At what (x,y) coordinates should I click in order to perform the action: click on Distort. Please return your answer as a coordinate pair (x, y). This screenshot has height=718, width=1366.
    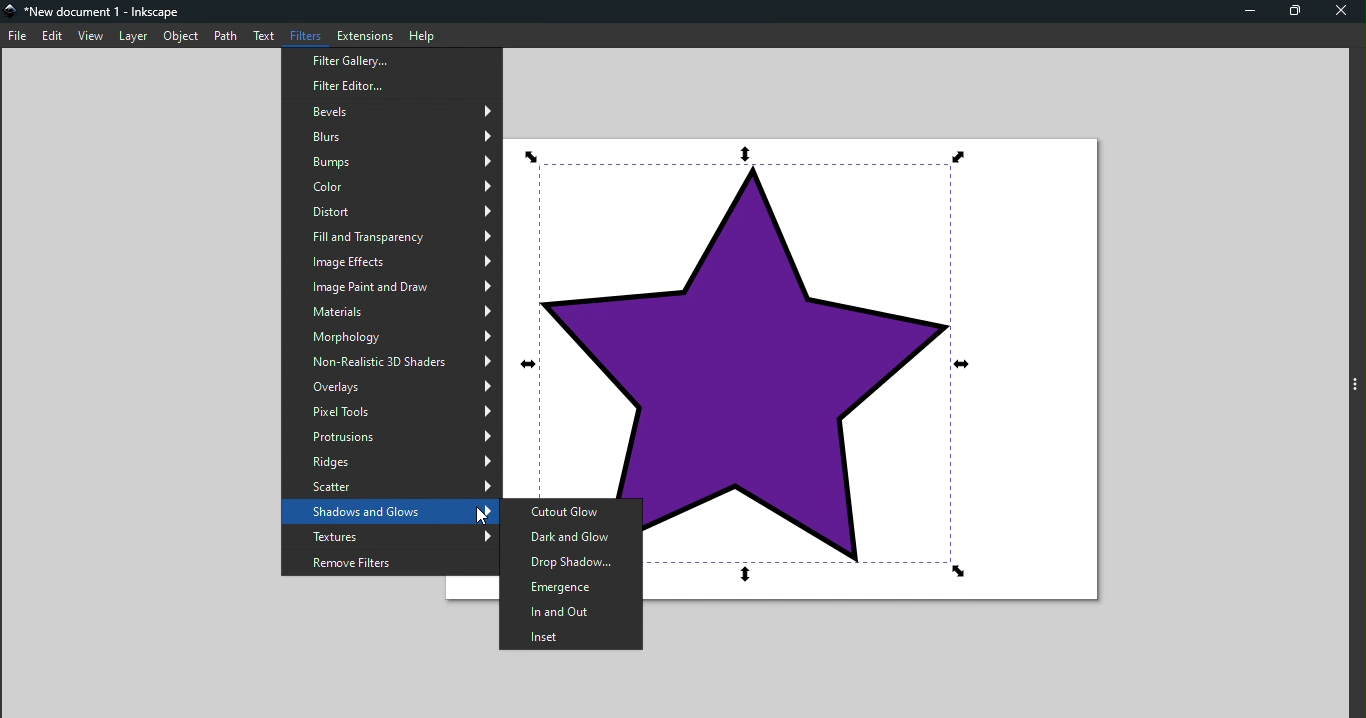
    Looking at the image, I should click on (390, 212).